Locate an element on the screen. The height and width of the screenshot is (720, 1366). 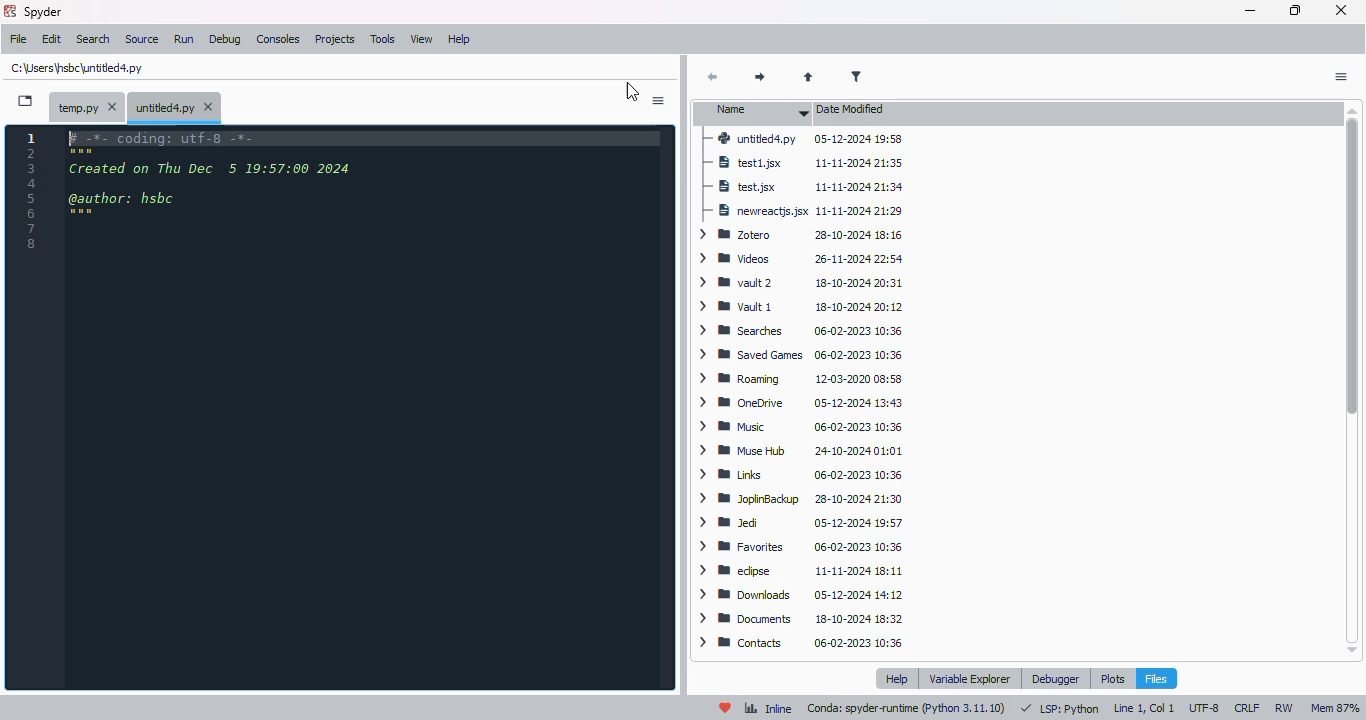
line numbers is located at coordinates (33, 192).